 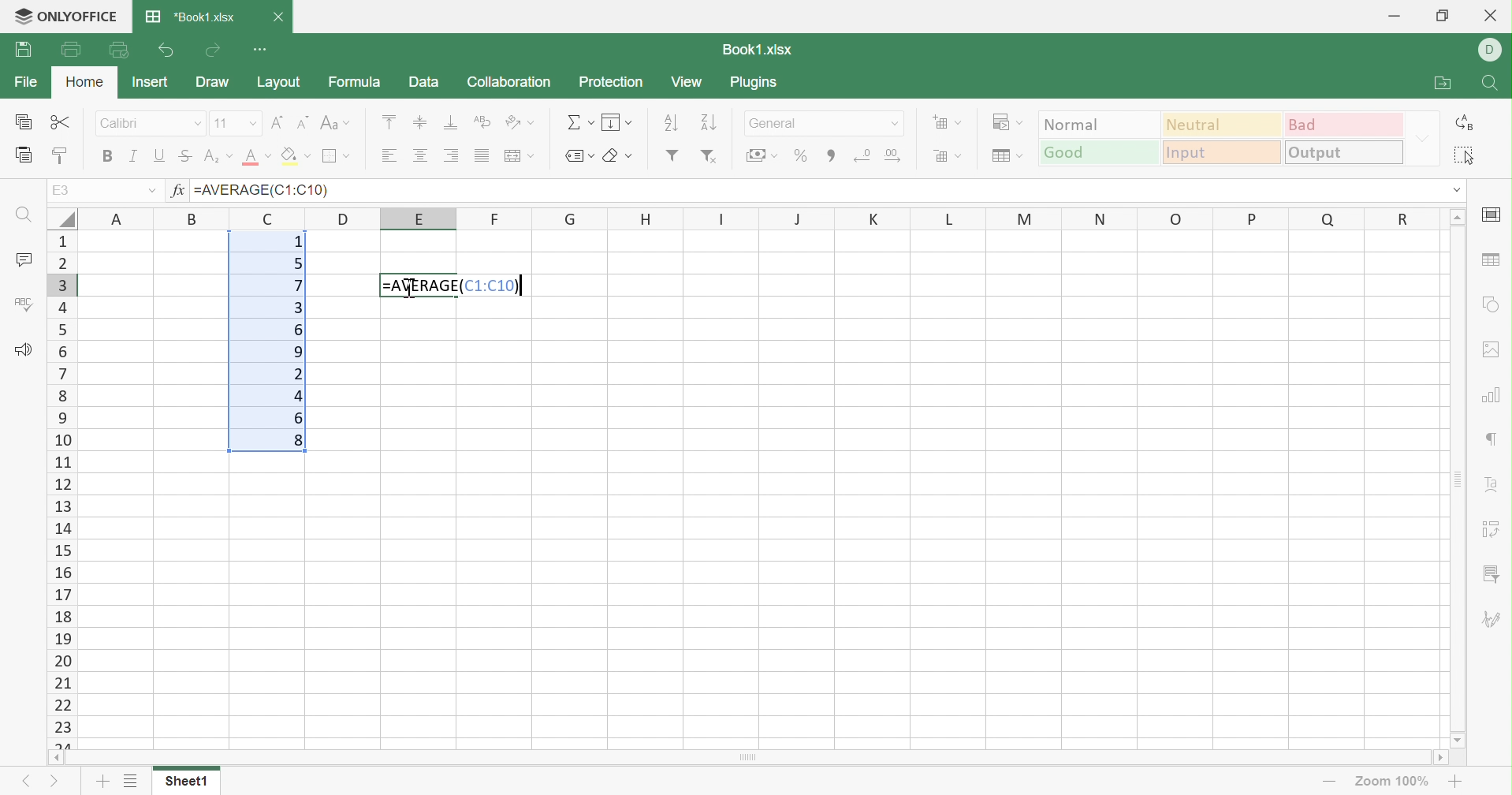 I want to click on Data, so click(x=427, y=82).